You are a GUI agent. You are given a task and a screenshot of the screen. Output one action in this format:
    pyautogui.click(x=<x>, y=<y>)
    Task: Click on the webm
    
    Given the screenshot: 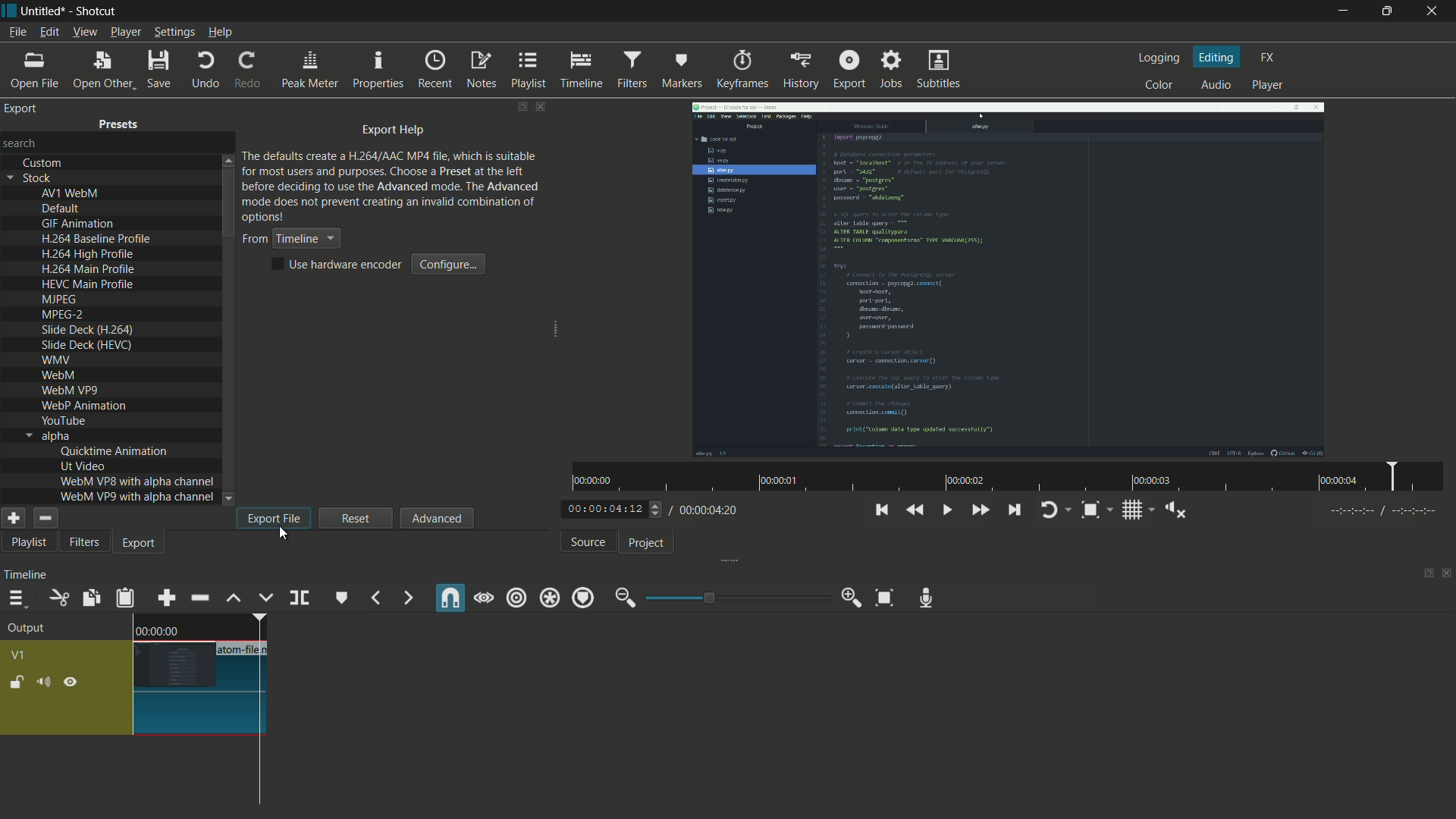 What is the action you would take?
    pyautogui.click(x=61, y=377)
    